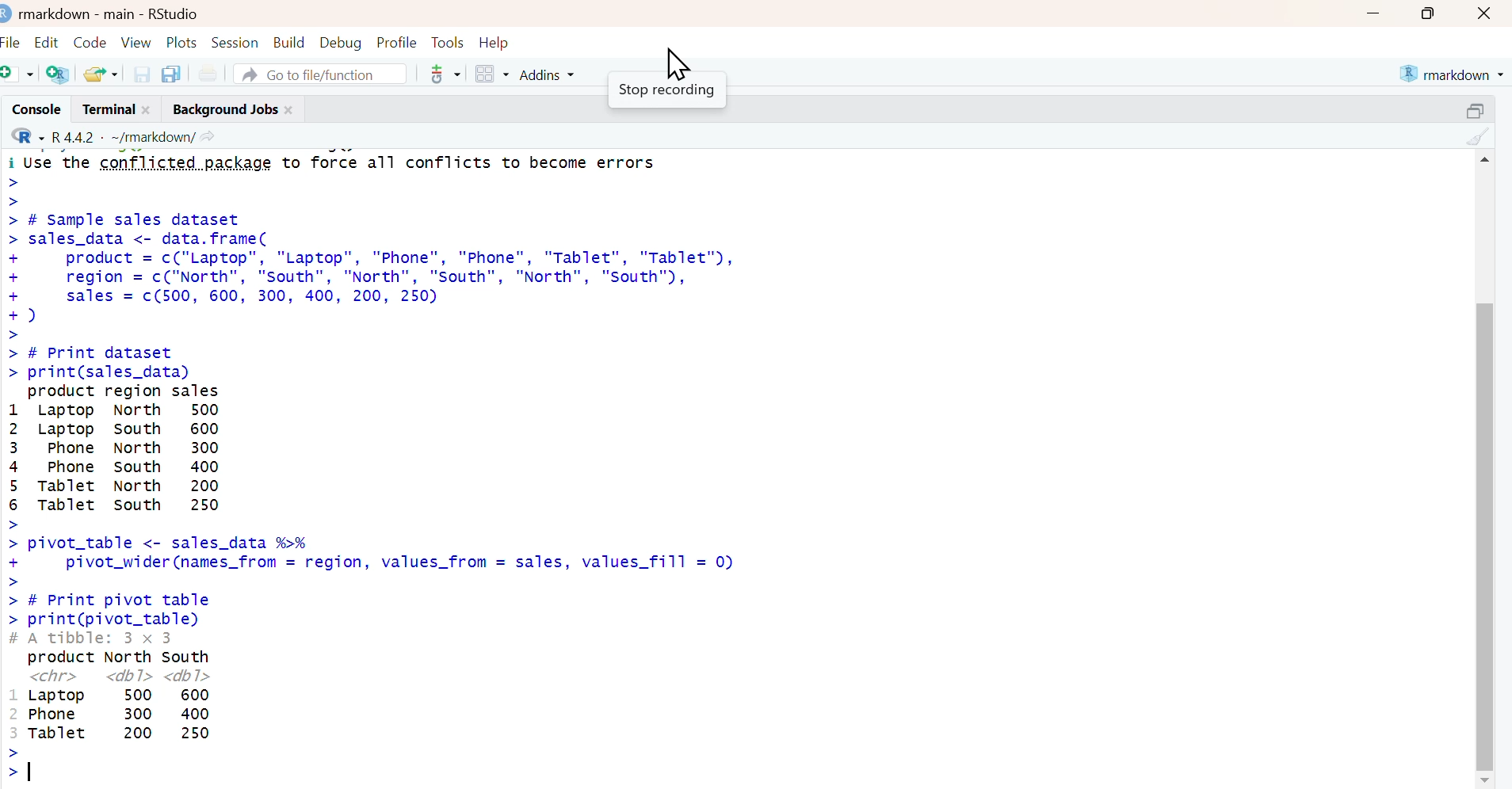 The image size is (1512, 789). Describe the element at coordinates (396, 40) in the screenshot. I see `Profile` at that location.